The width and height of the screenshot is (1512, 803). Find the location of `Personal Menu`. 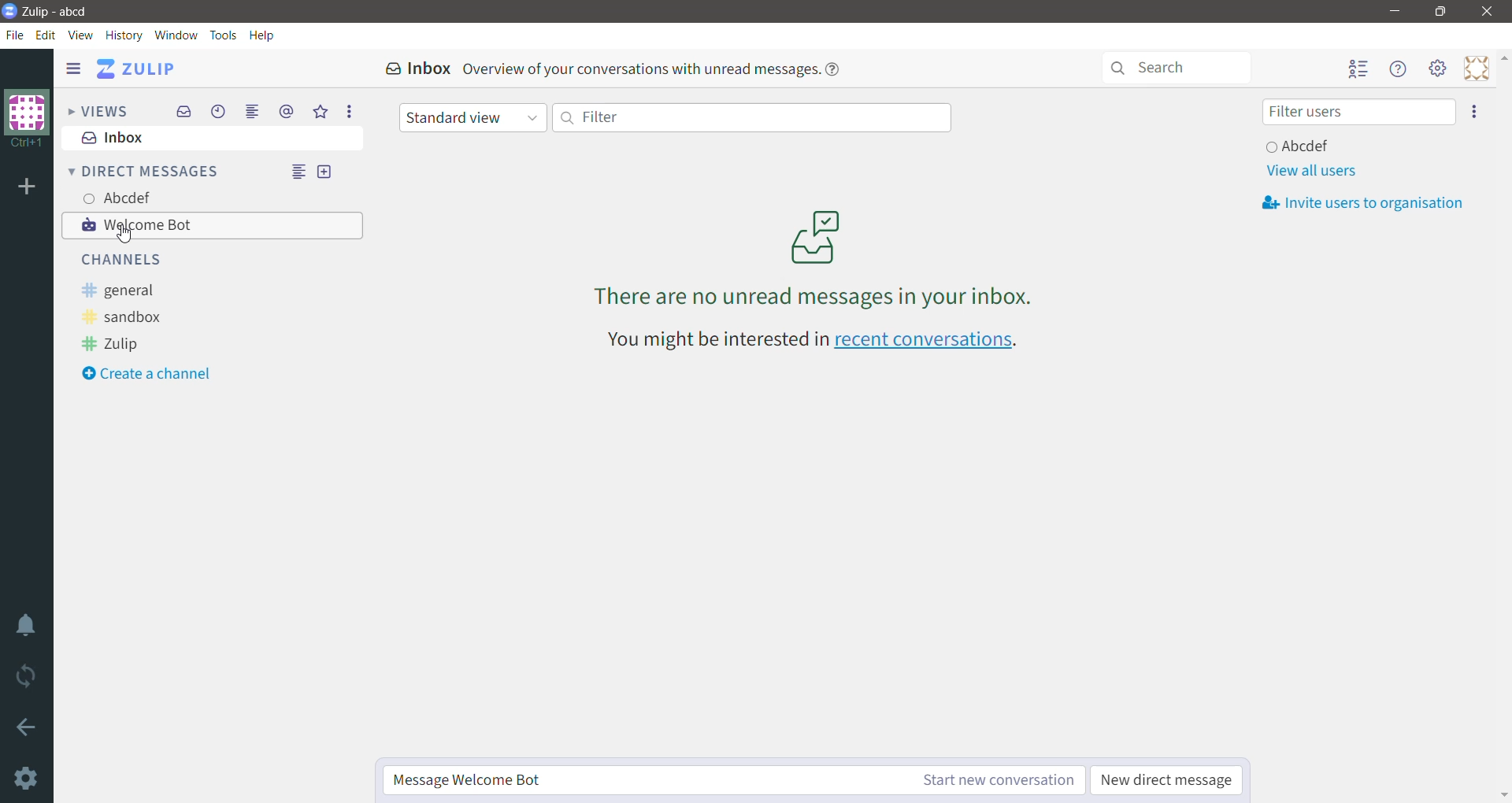

Personal Menu is located at coordinates (1473, 68).